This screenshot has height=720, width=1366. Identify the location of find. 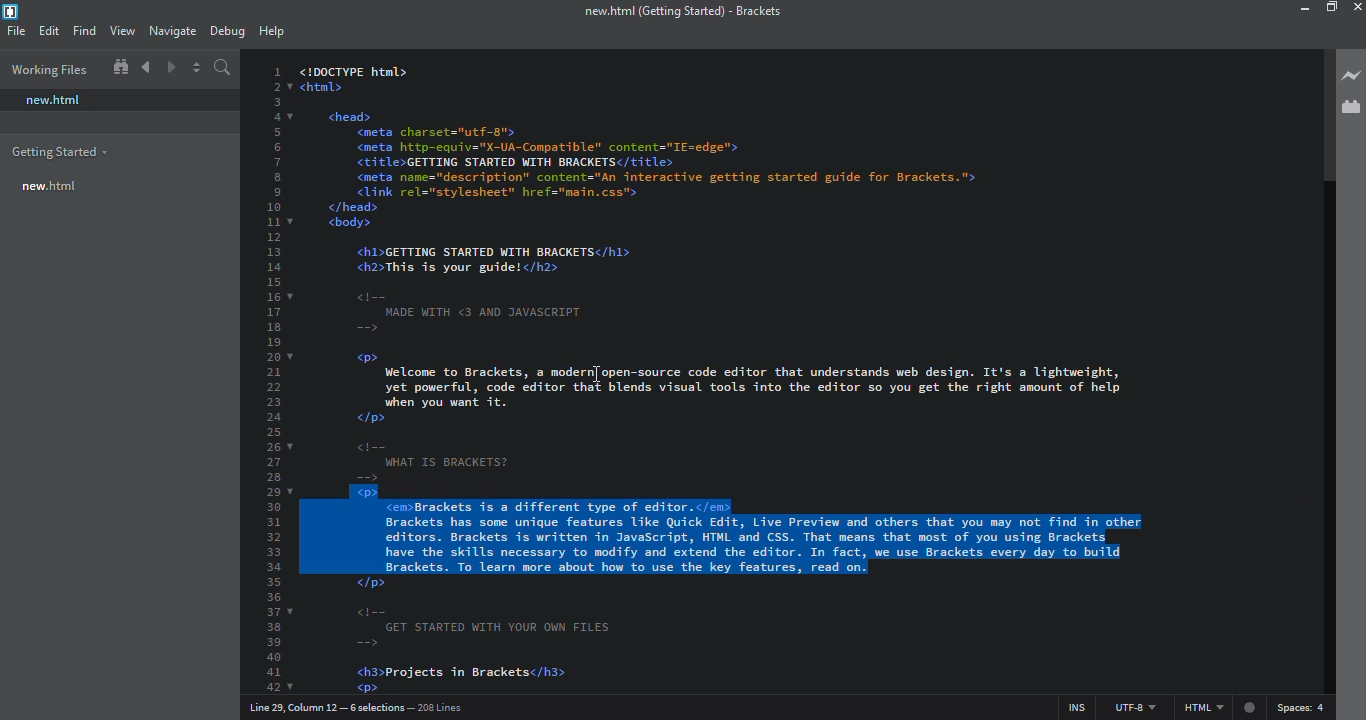
(84, 28).